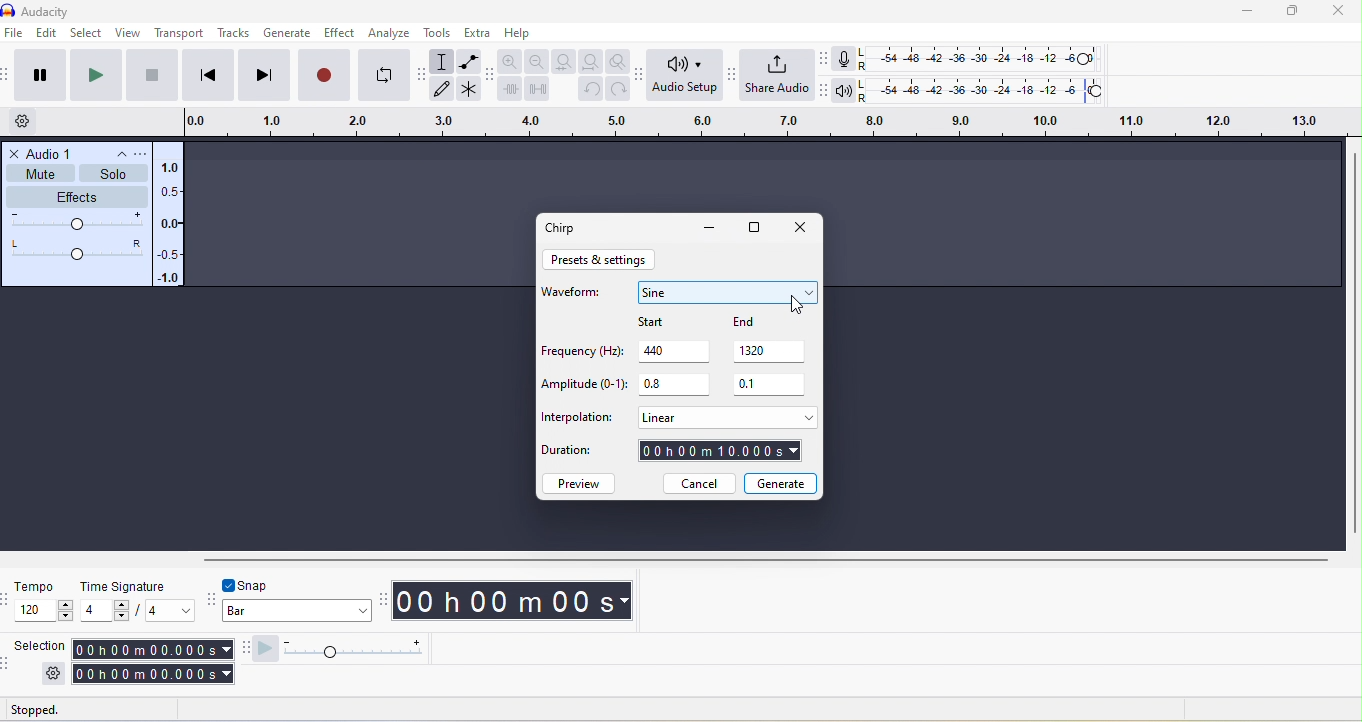 Image resolution: width=1362 pixels, height=722 pixels. What do you see at coordinates (342, 32) in the screenshot?
I see `effect` at bounding box center [342, 32].